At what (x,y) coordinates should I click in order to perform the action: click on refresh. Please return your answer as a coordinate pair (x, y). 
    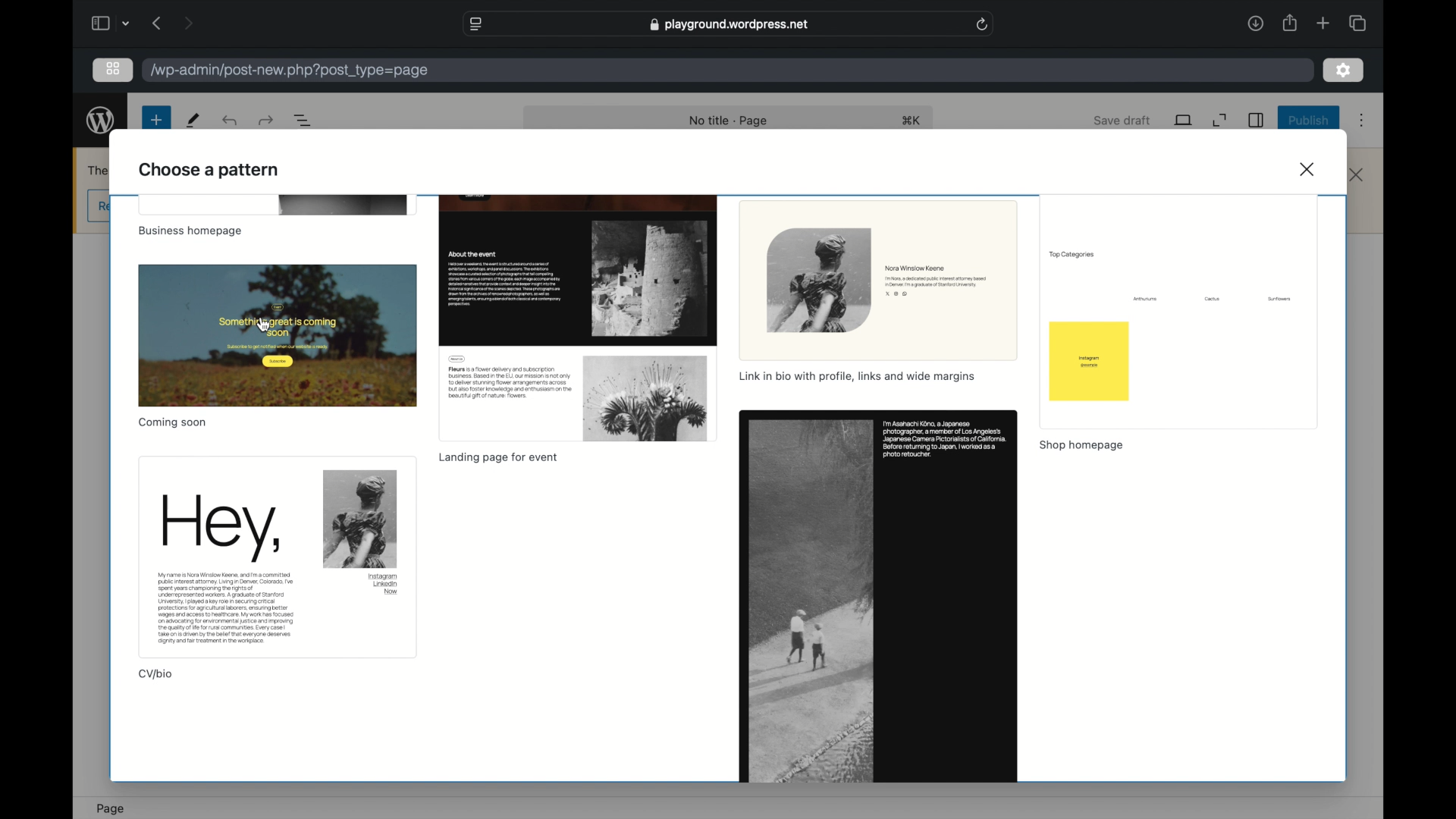
    Looking at the image, I should click on (983, 25).